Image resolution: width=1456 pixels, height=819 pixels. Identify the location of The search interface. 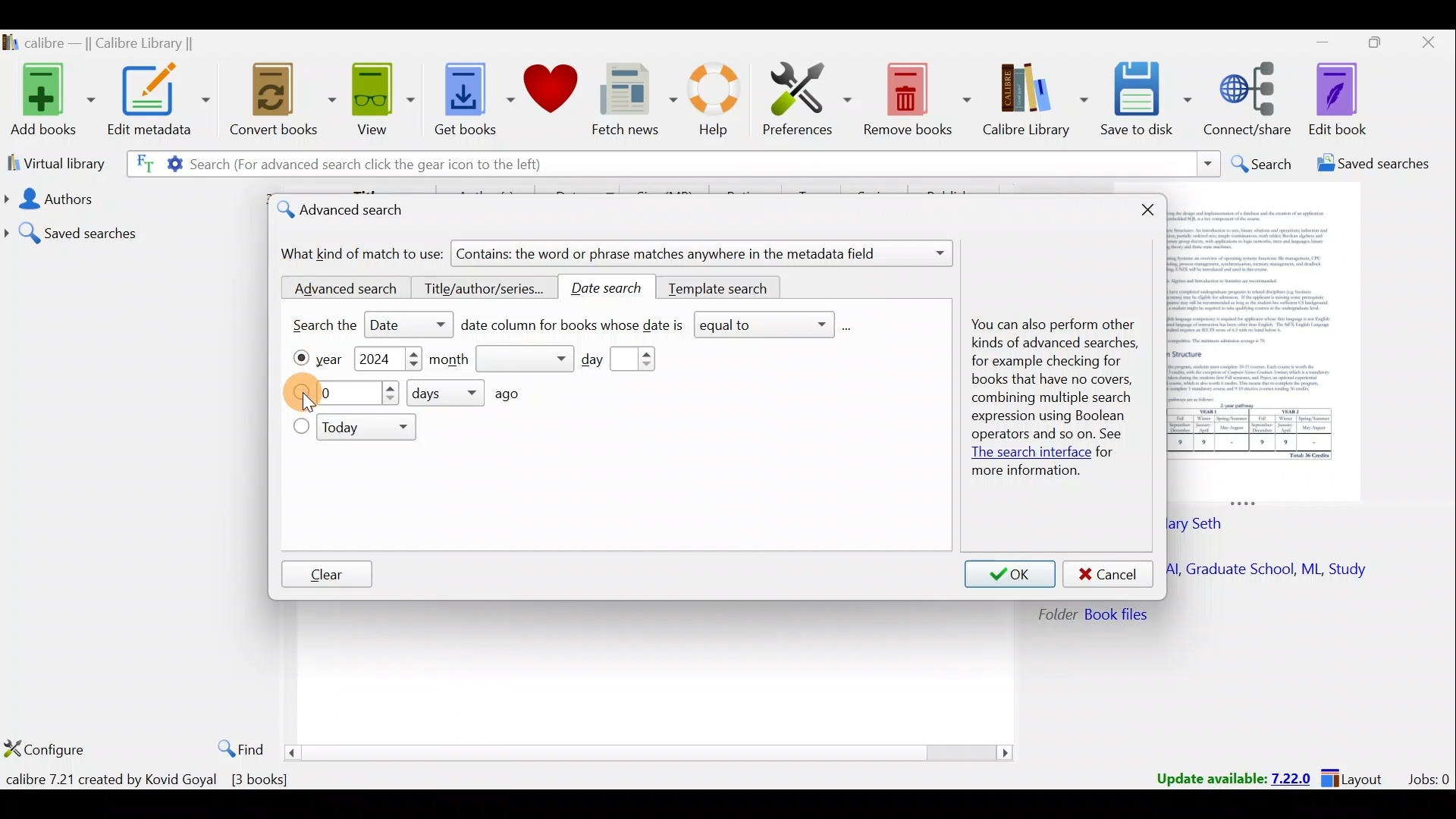
(1028, 454).